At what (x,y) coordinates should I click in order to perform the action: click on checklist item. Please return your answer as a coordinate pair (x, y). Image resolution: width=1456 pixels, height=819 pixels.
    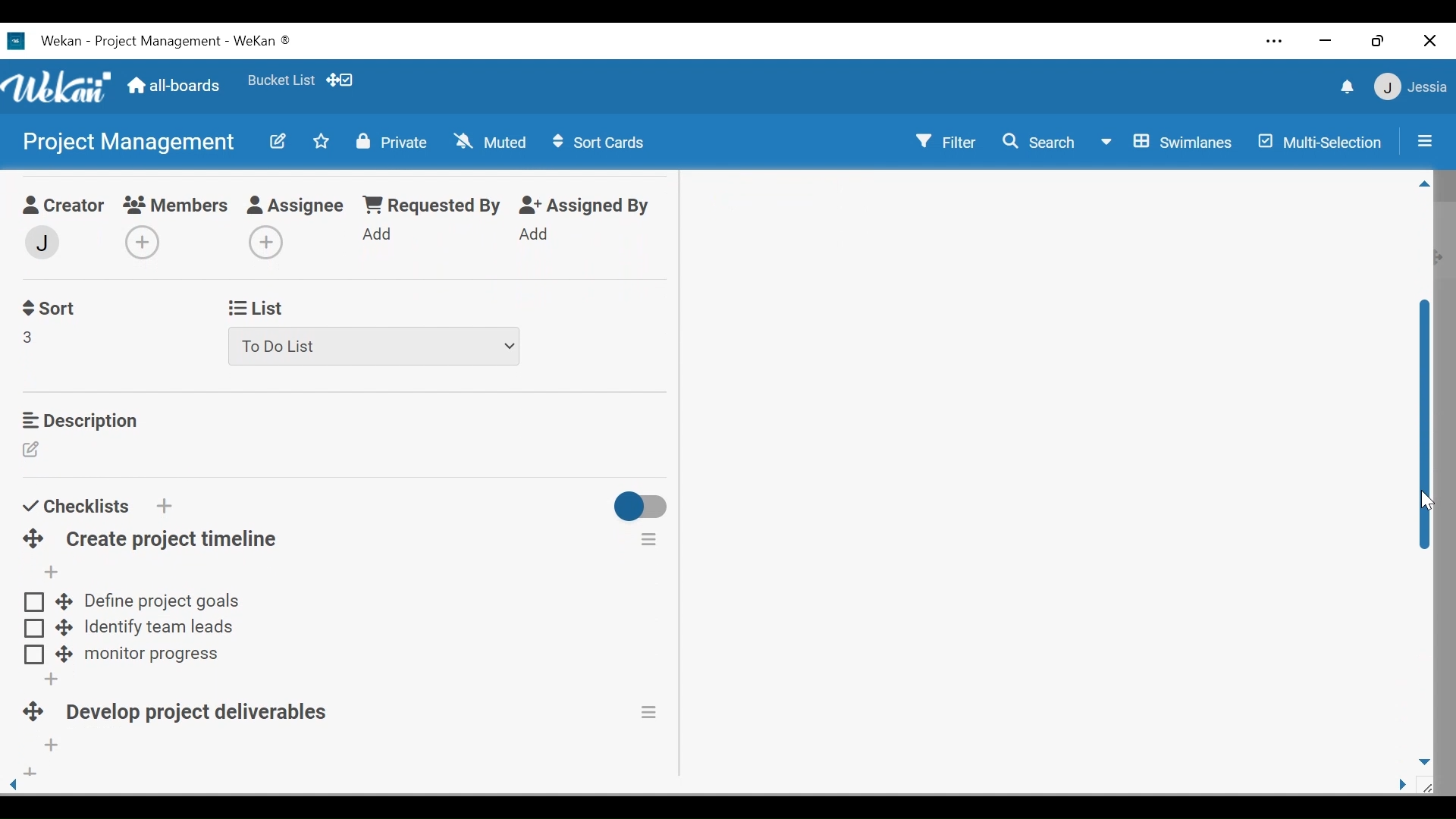
    Looking at the image, I should click on (152, 656).